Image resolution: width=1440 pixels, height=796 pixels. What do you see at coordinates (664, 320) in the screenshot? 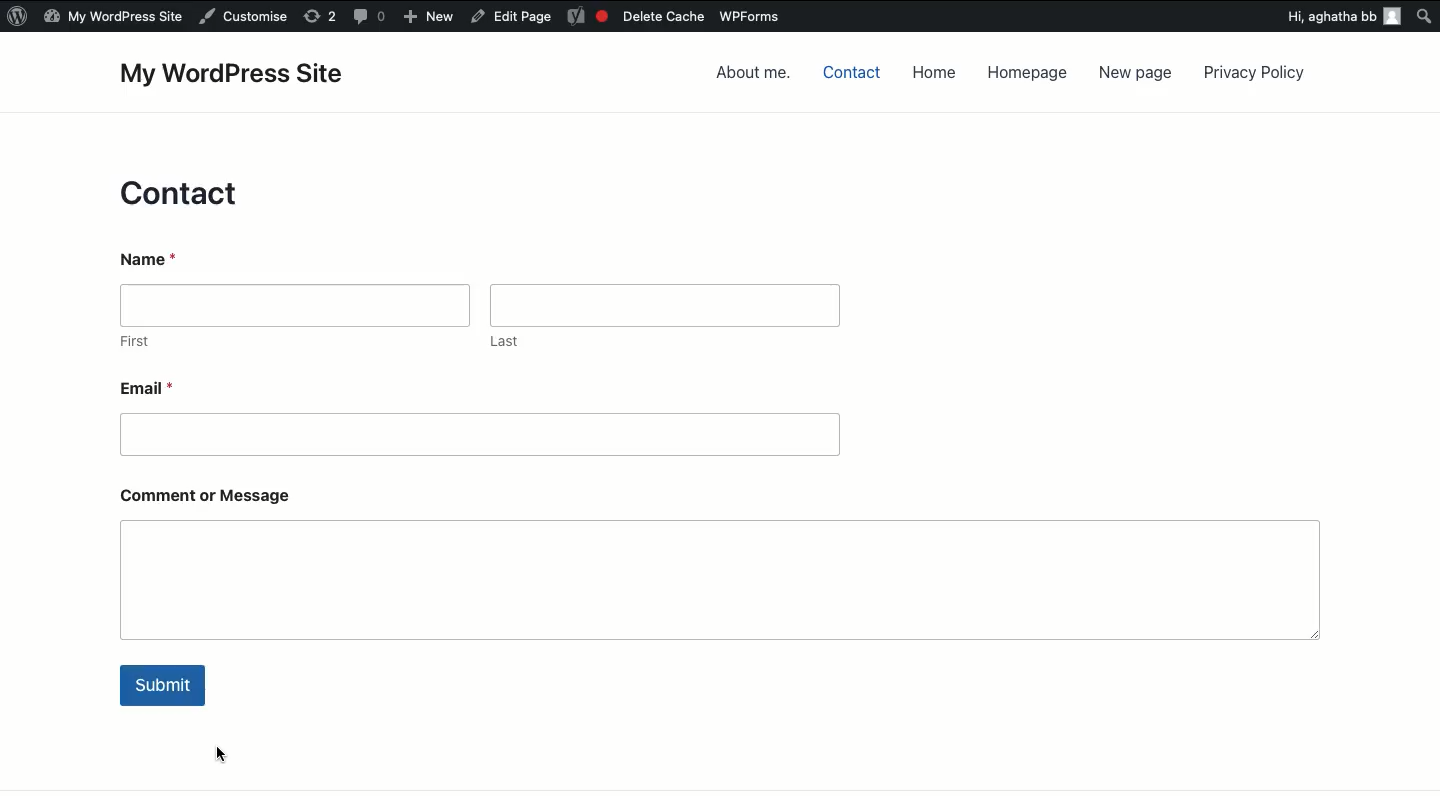
I see `Last` at bounding box center [664, 320].